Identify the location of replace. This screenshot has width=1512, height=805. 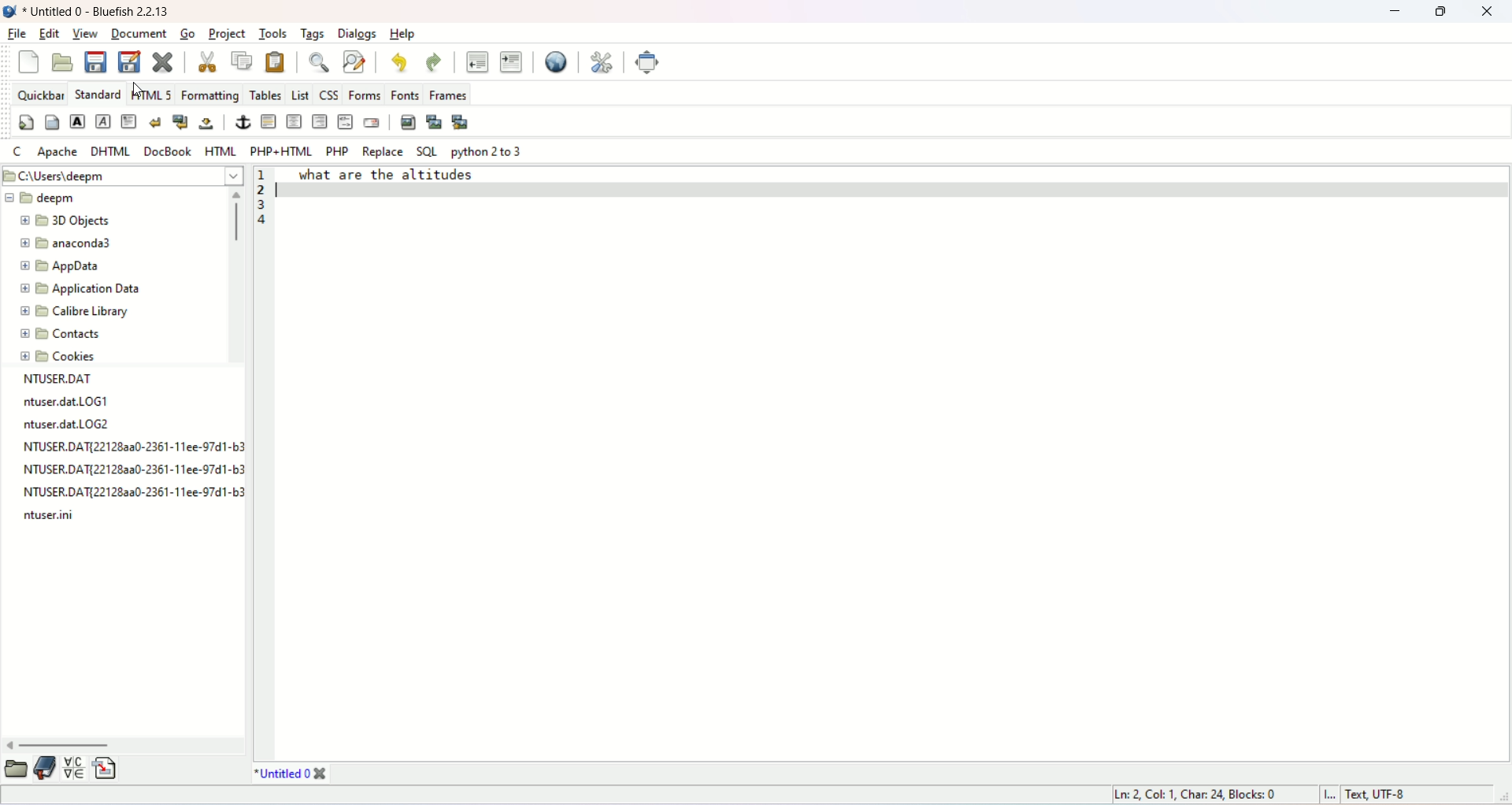
(381, 152).